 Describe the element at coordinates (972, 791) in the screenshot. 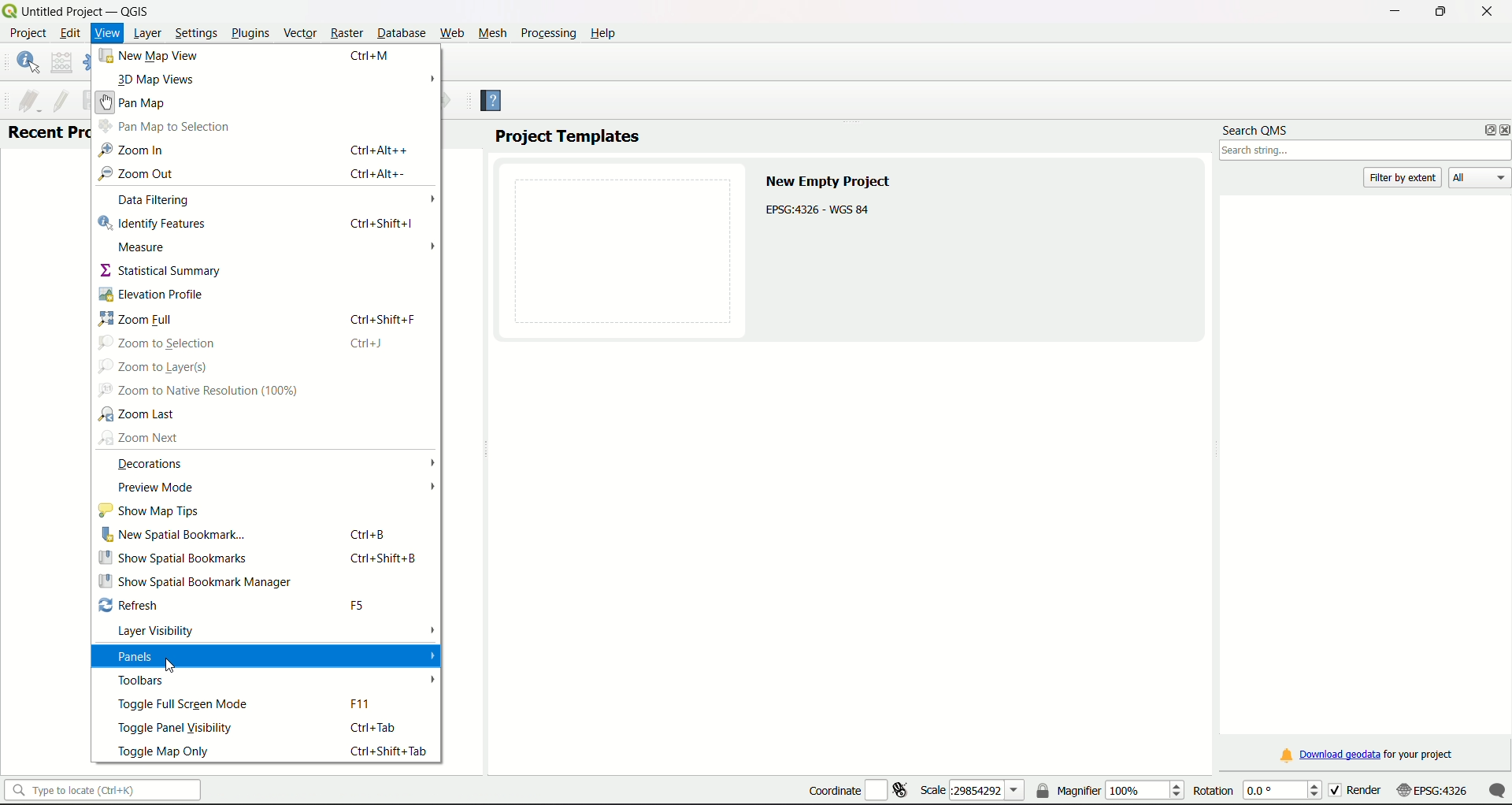

I see `scale` at that location.